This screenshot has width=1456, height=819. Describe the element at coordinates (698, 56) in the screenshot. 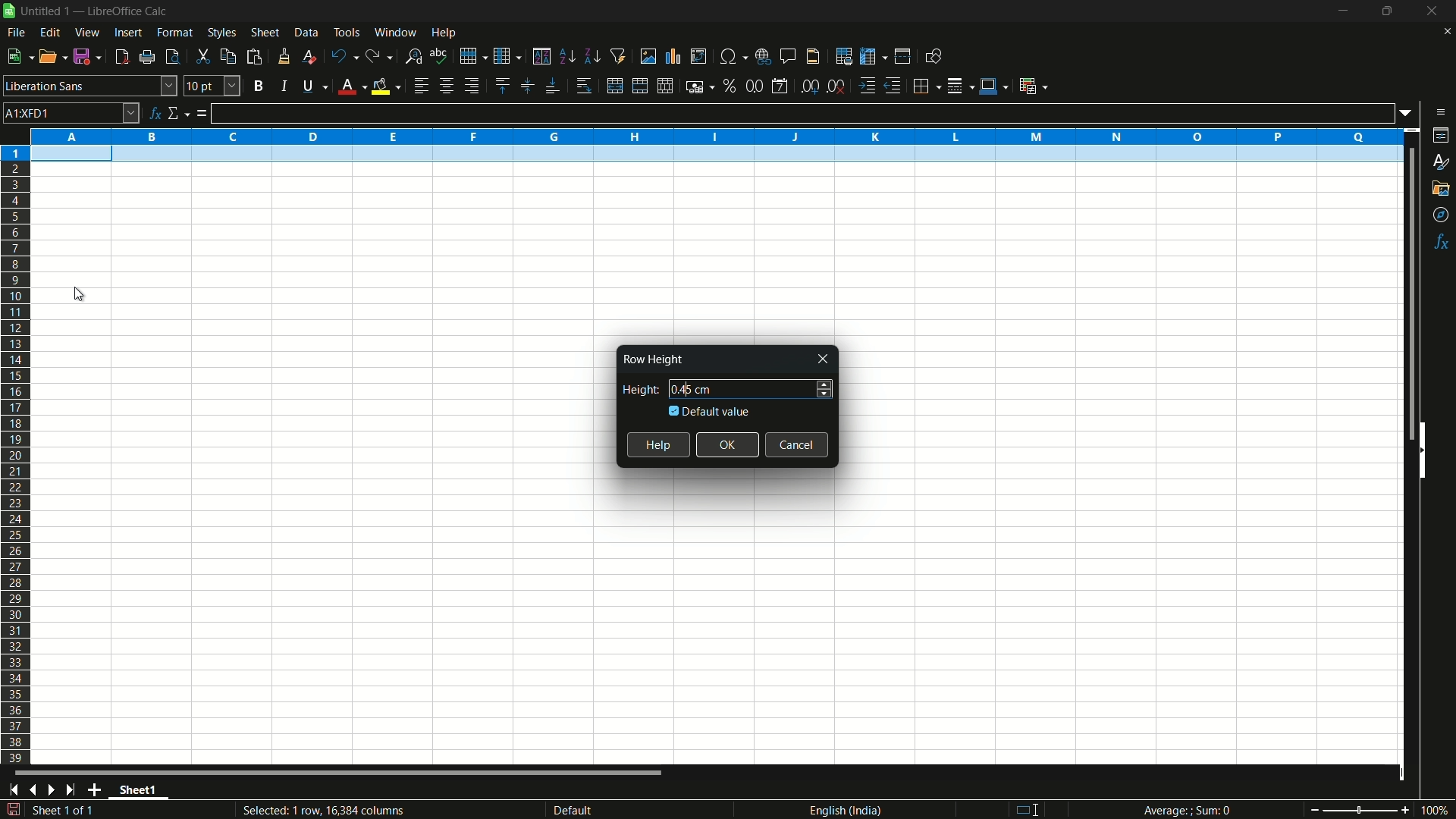

I see `insert or edit pivot table` at that location.